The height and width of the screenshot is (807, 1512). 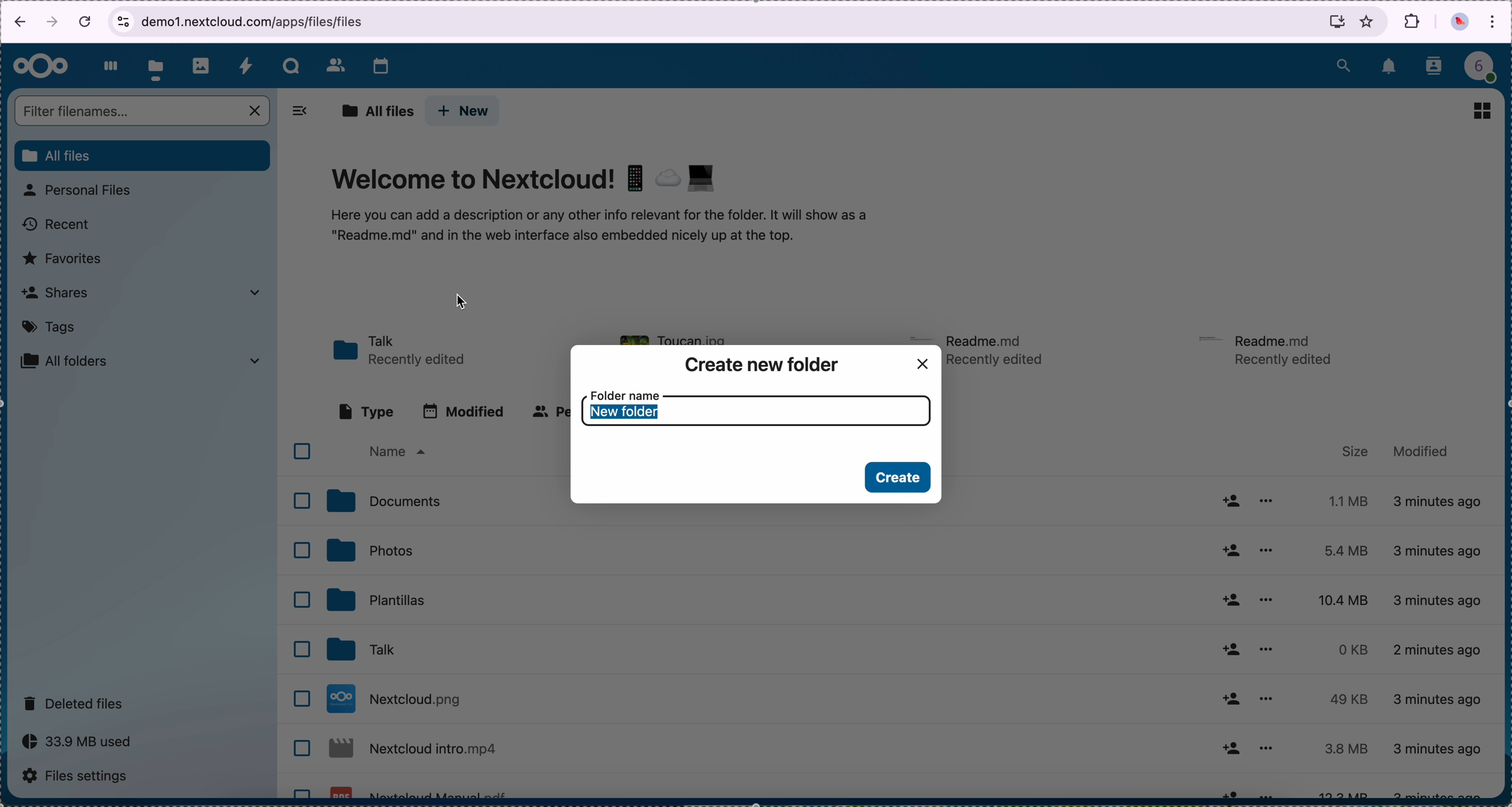 What do you see at coordinates (1444, 698) in the screenshot?
I see `4 minutes ago` at bounding box center [1444, 698].